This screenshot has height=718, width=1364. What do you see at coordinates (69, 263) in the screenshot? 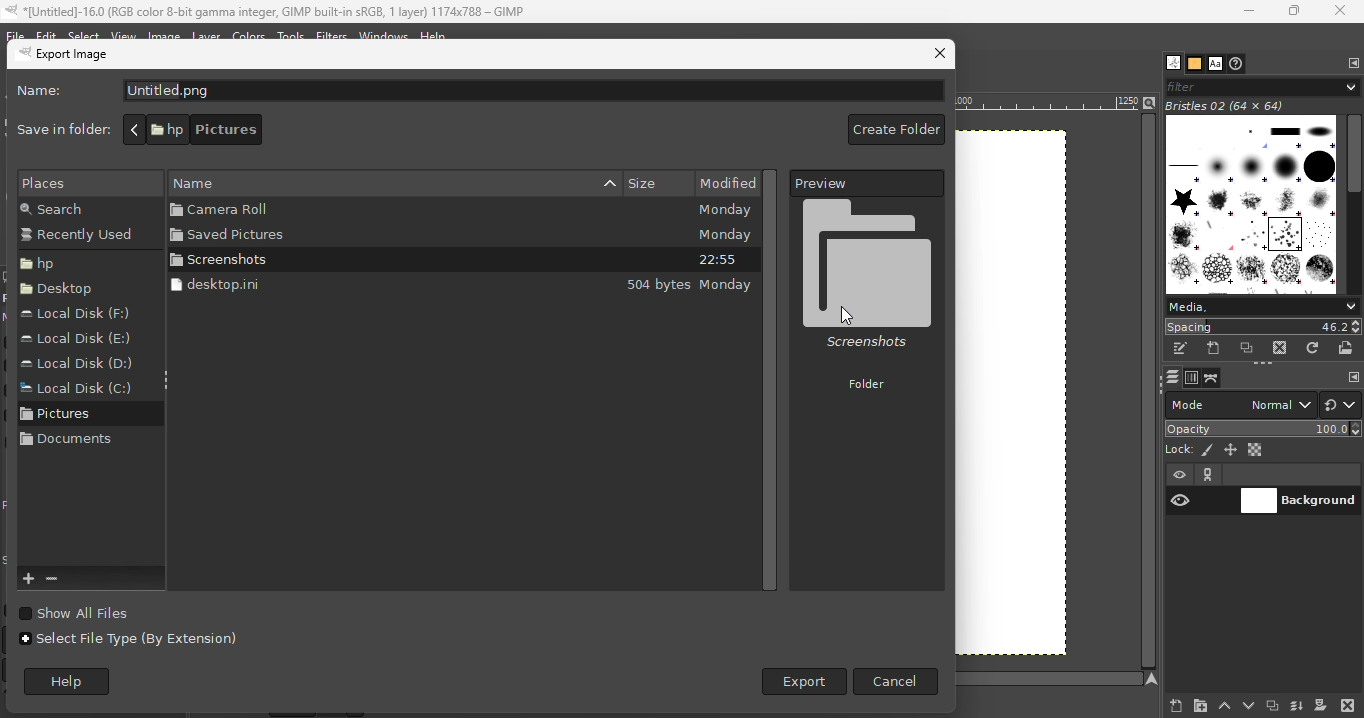
I see `Hp` at bounding box center [69, 263].